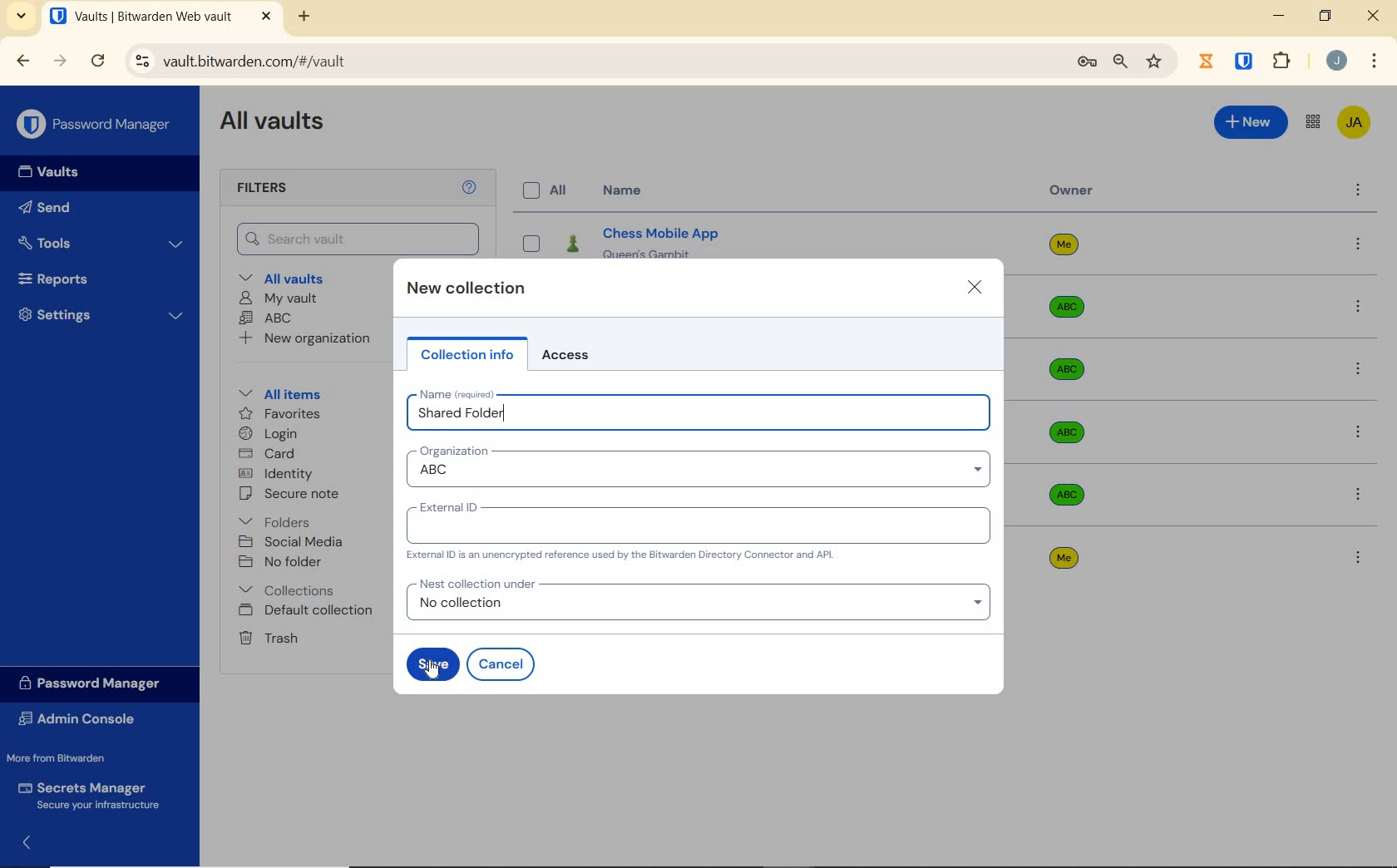 The width and height of the screenshot is (1397, 868). Describe the element at coordinates (1154, 62) in the screenshot. I see `bookmark` at that location.